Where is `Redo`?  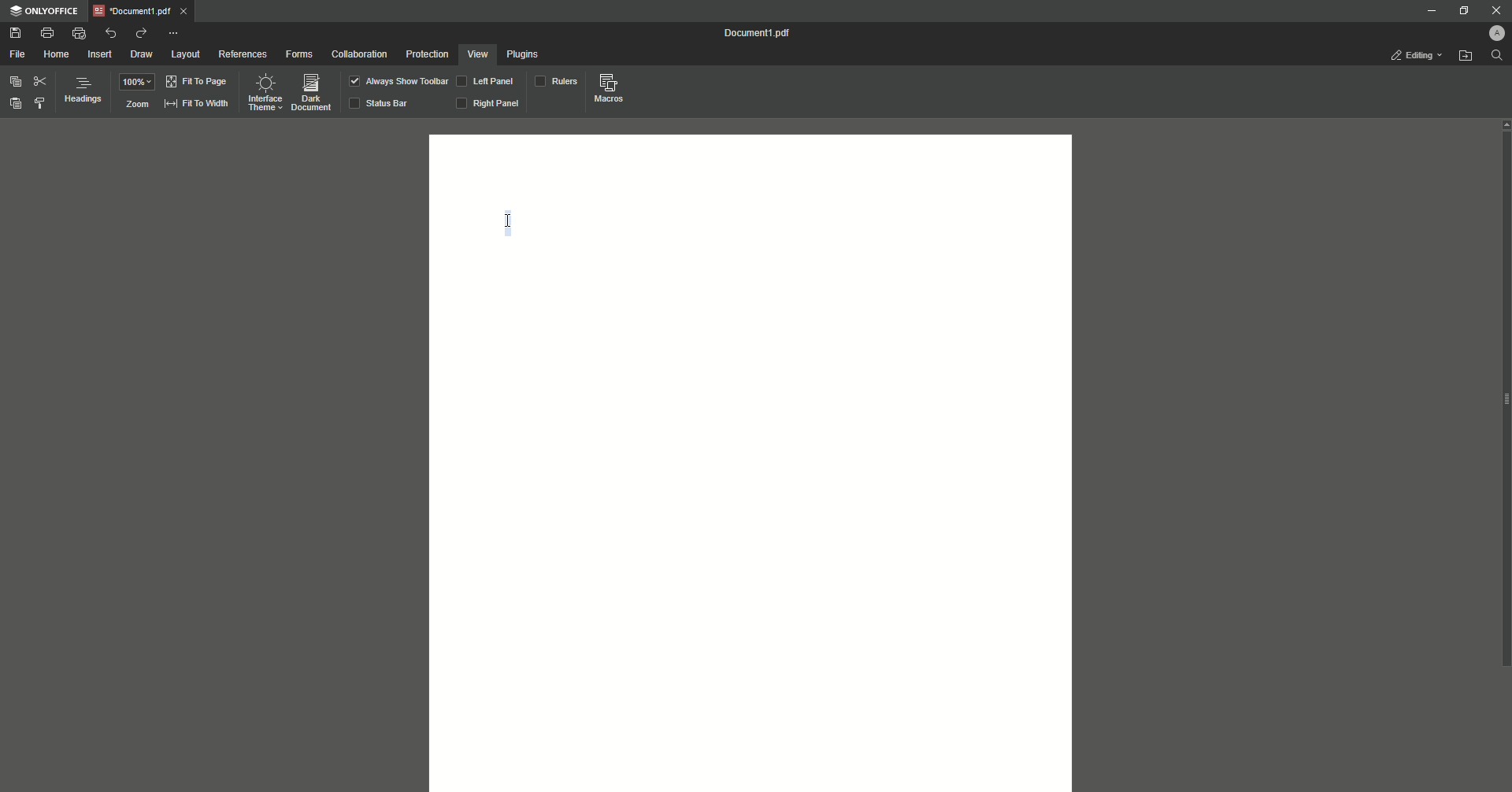
Redo is located at coordinates (141, 33).